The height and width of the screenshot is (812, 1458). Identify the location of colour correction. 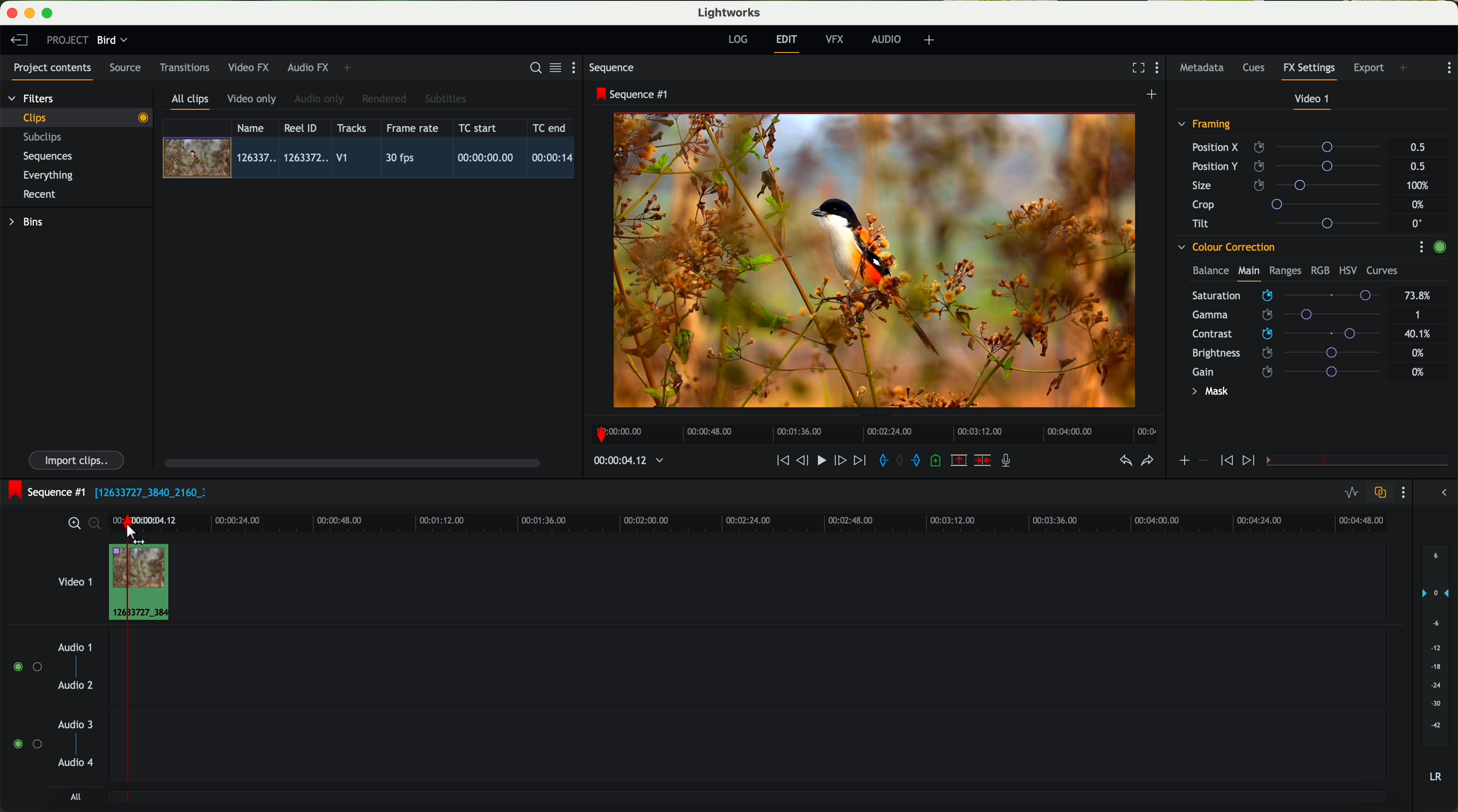
(1225, 247).